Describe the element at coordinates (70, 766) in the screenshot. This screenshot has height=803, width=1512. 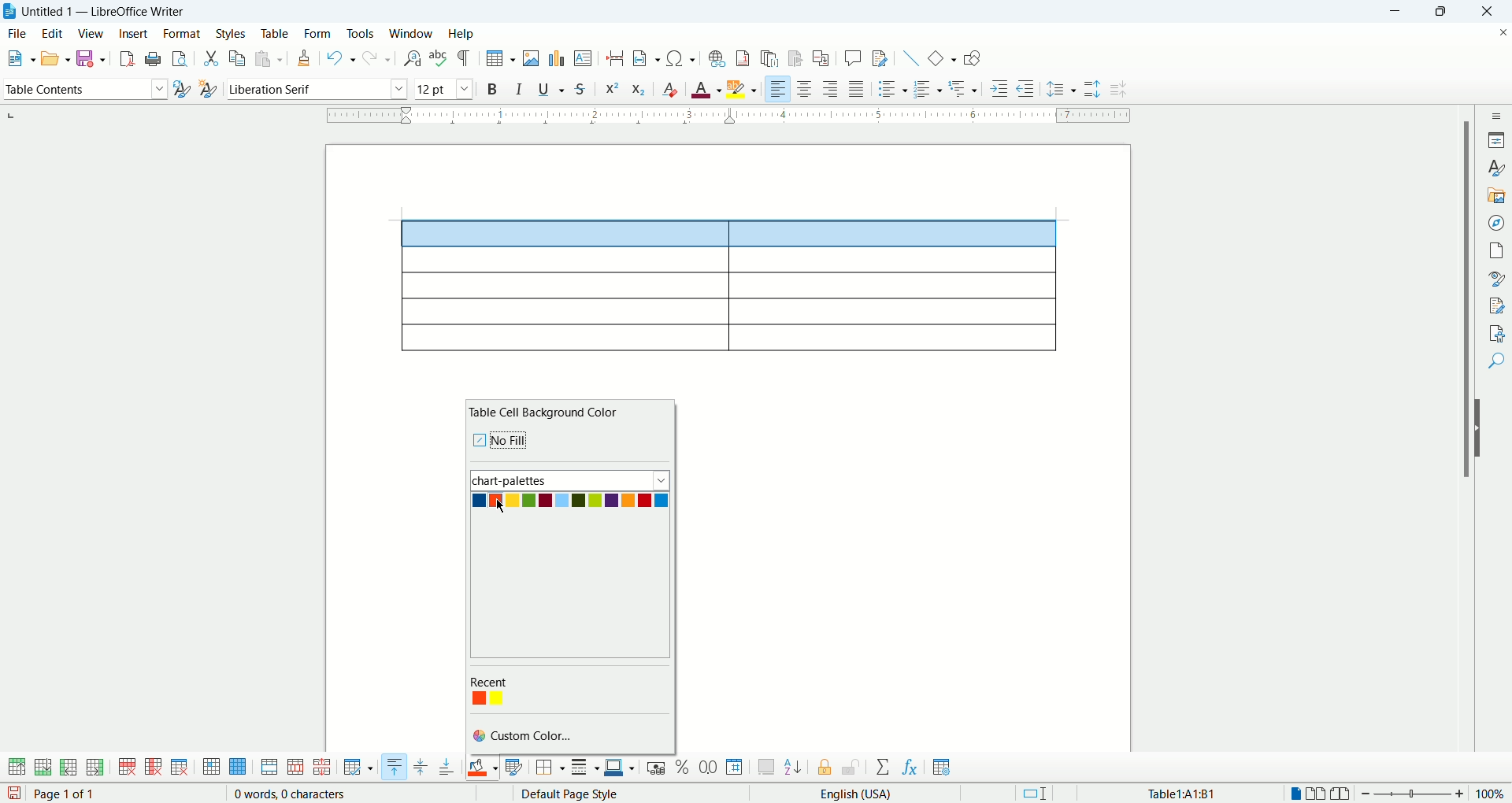
I see `insert column before` at that location.